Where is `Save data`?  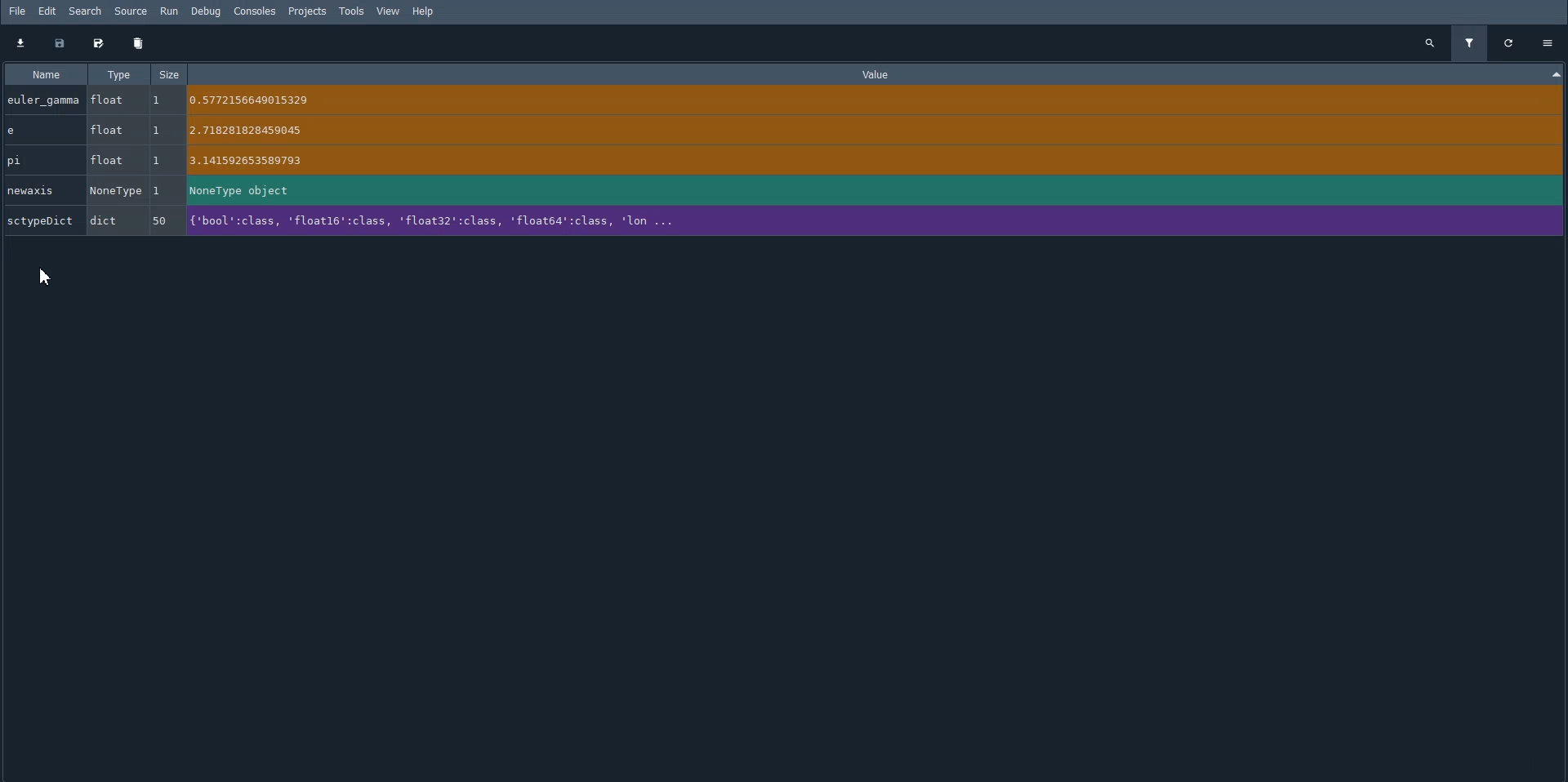 Save data is located at coordinates (60, 44).